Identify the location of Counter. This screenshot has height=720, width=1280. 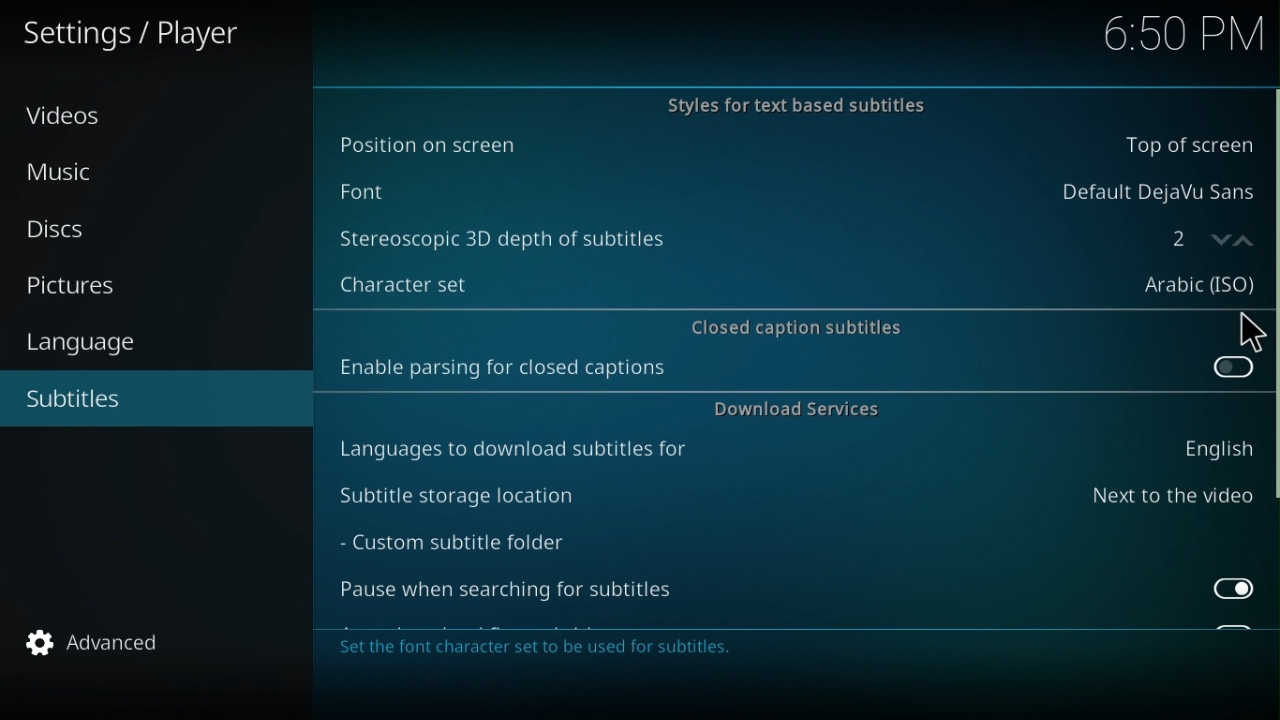
(1195, 239).